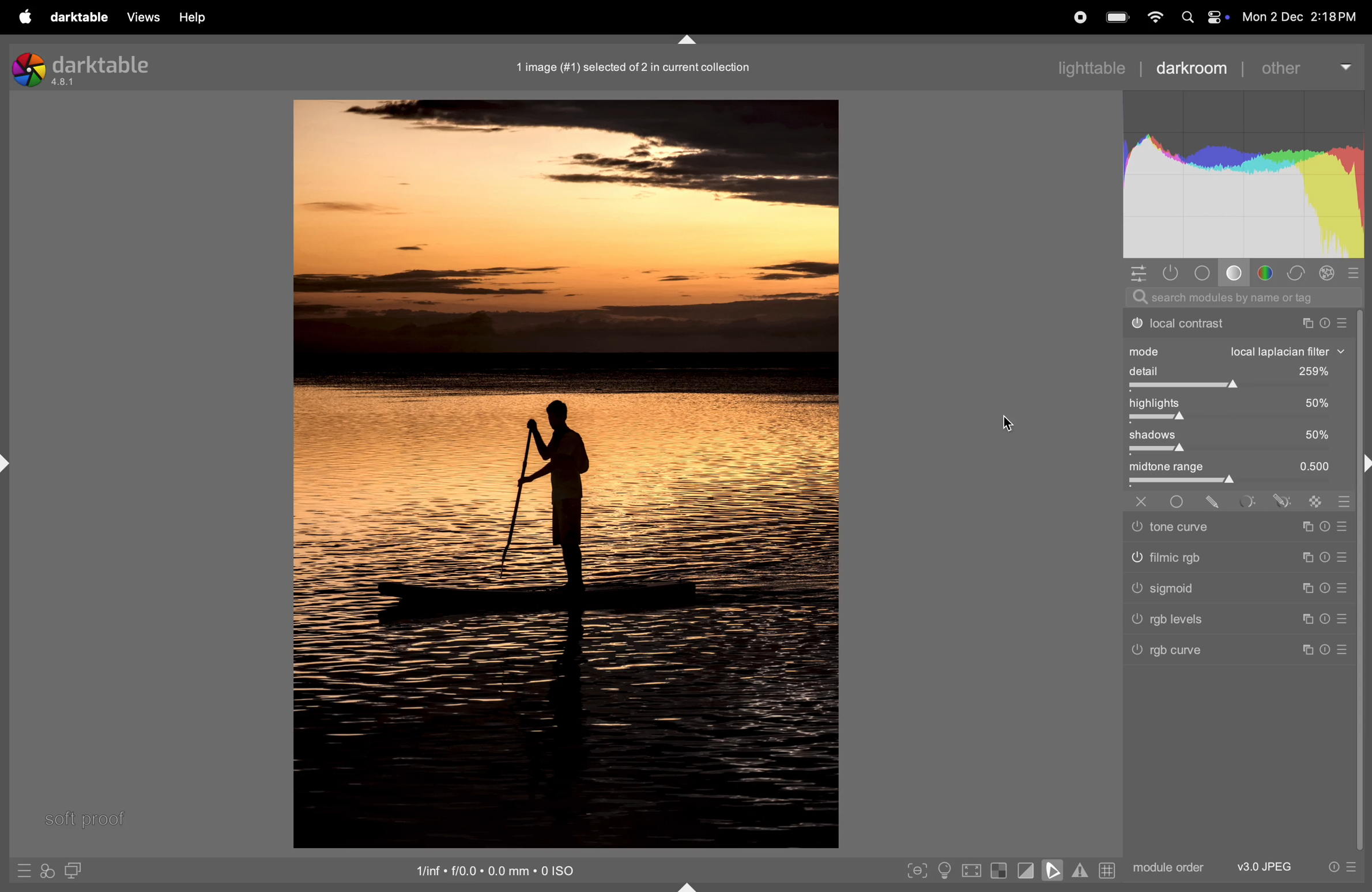 This screenshot has height=892, width=1372. Describe the element at coordinates (1118, 16) in the screenshot. I see `battery` at that location.